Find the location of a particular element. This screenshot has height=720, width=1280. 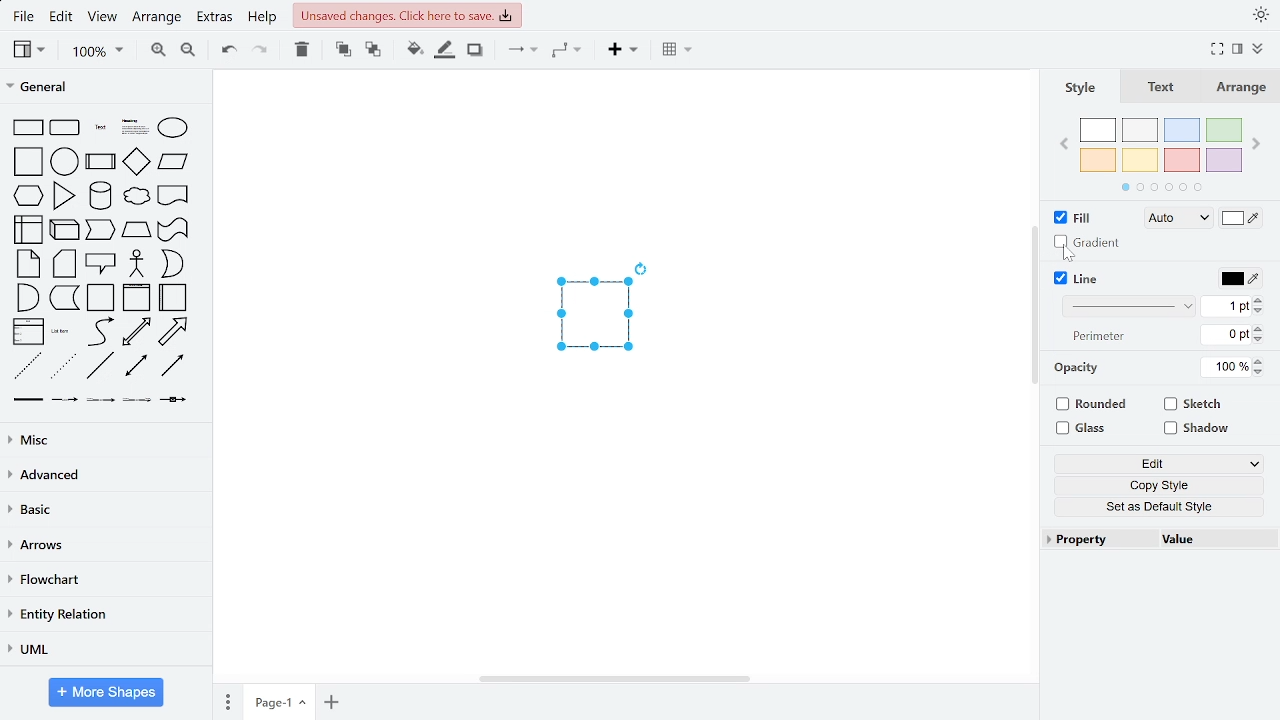

general shapes is located at coordinates (26, 229).